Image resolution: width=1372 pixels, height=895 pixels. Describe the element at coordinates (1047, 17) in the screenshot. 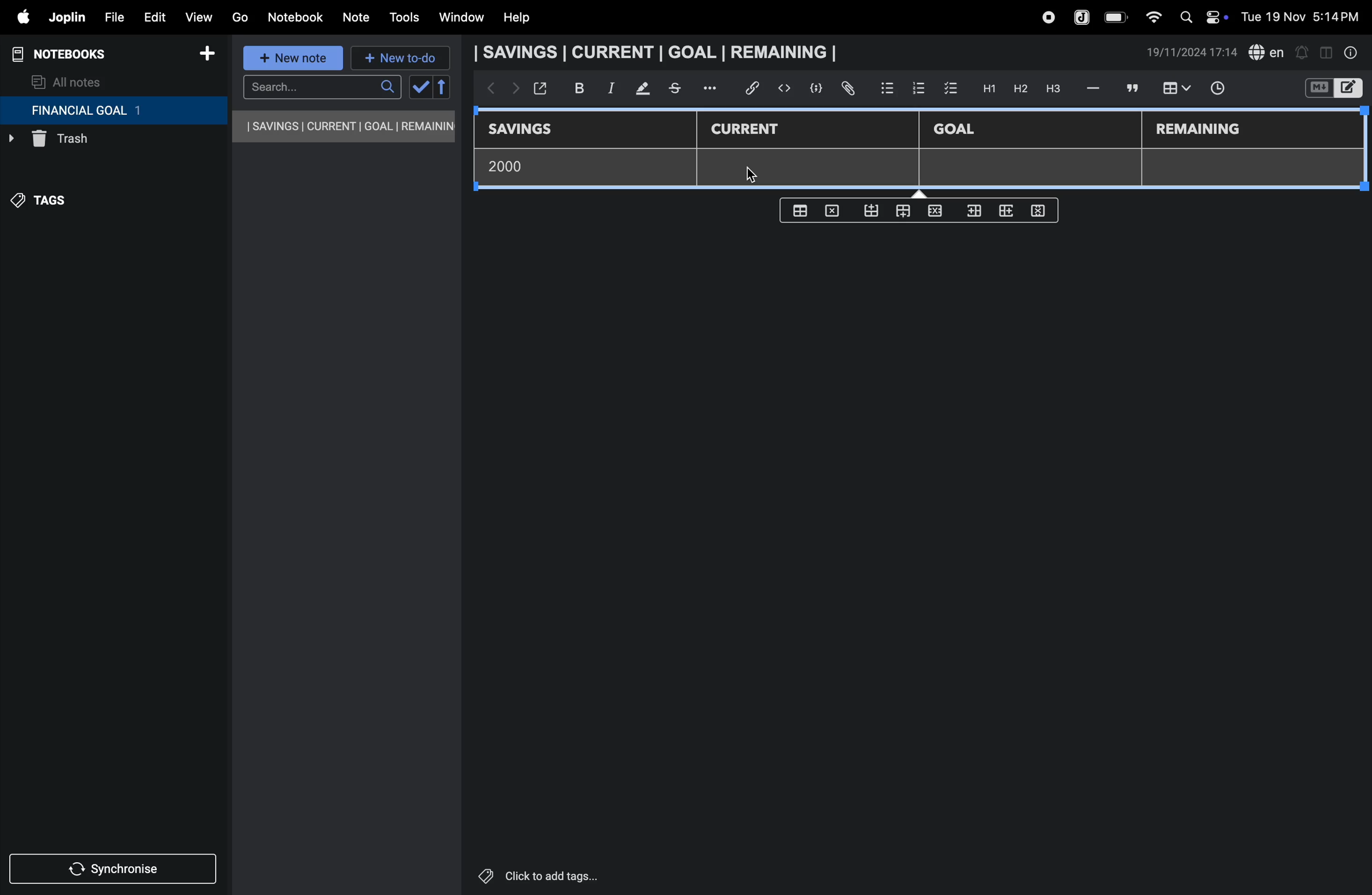

I see `record` at that location.